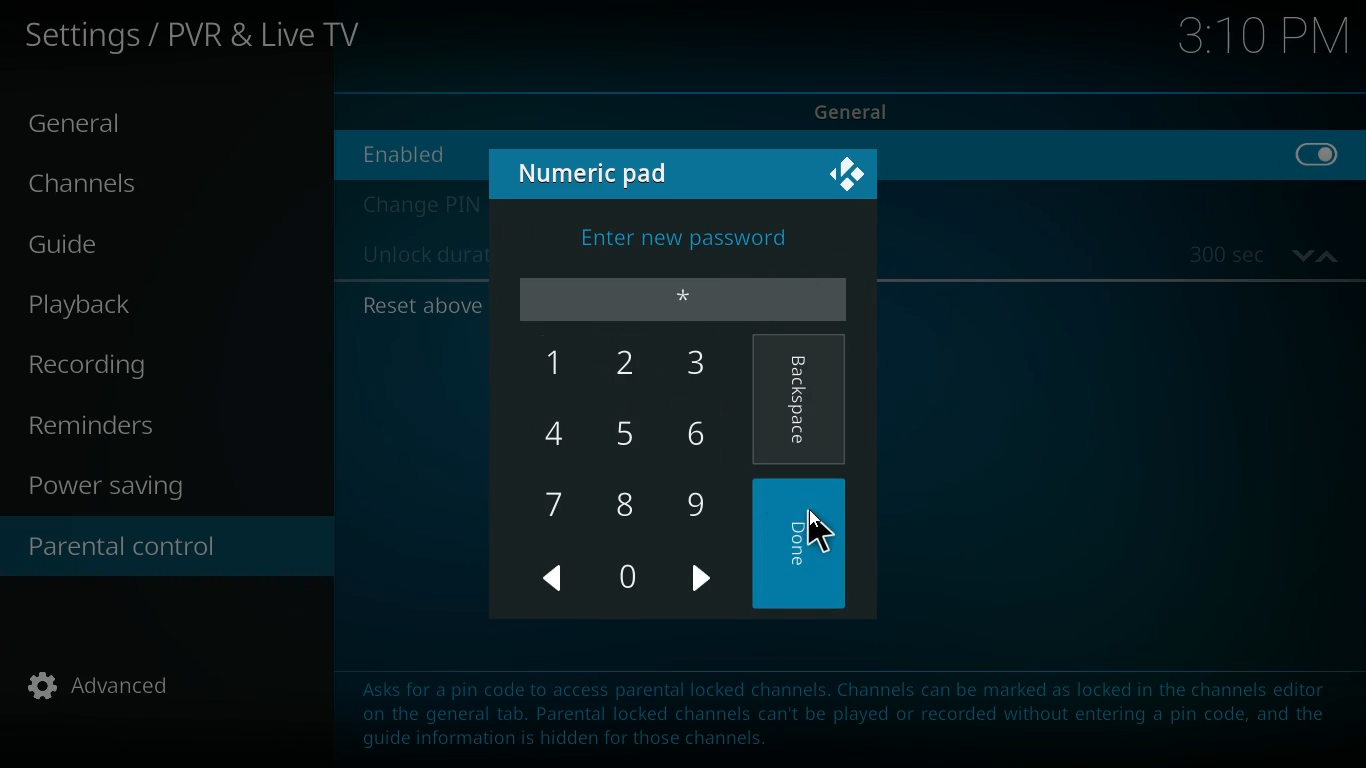  What do you see at coordinates (625, 503) in the screenshot?
I see `8` at bounding box center [625, 503].